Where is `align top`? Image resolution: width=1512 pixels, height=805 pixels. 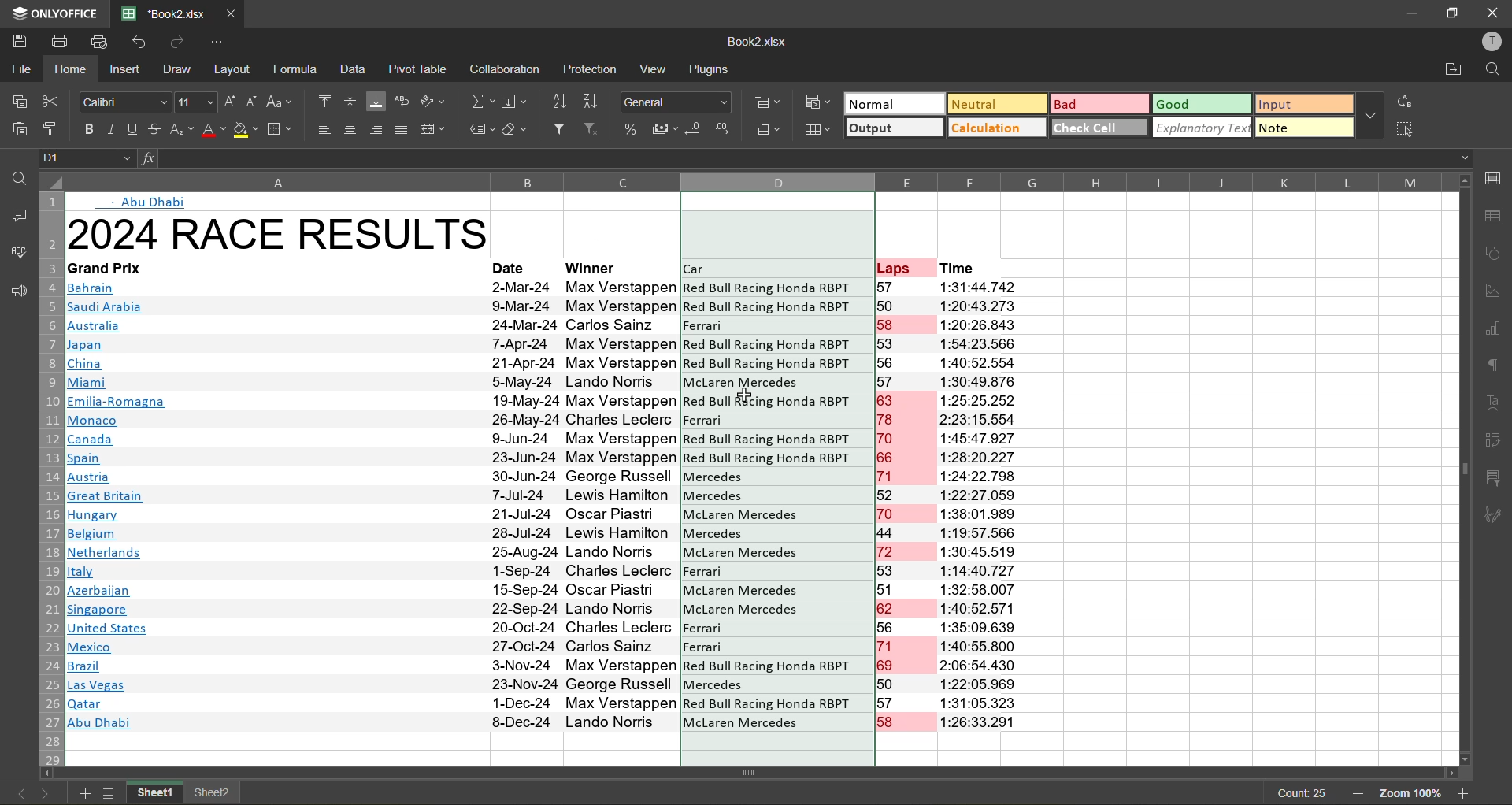
align top is located at coordinates (323, 101).